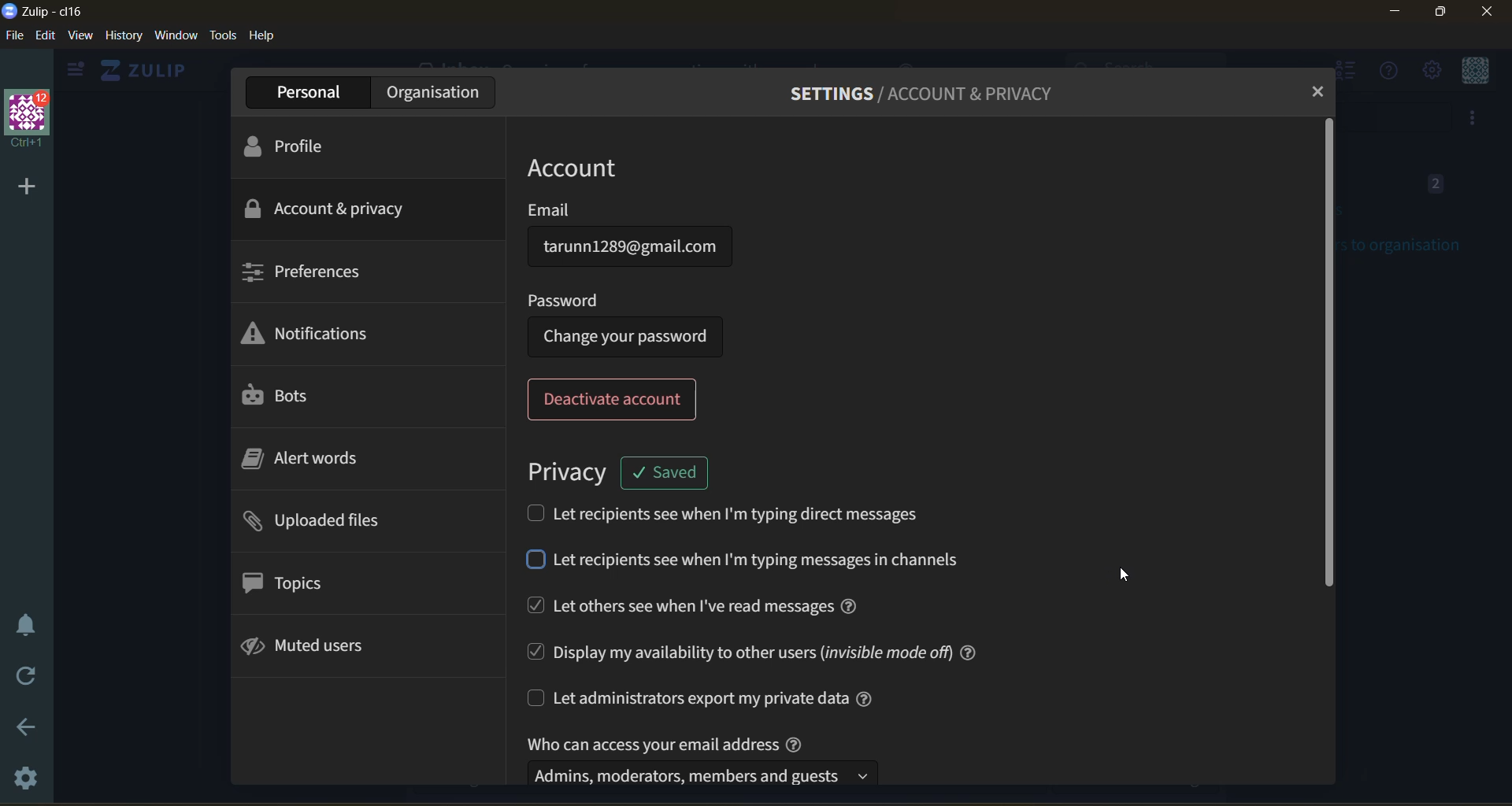 Image resolution: width=1512 pixels, height=806 pixels. Describe the element at coordinates (302, 269) in the screenshot. I see `preferences` at that location.